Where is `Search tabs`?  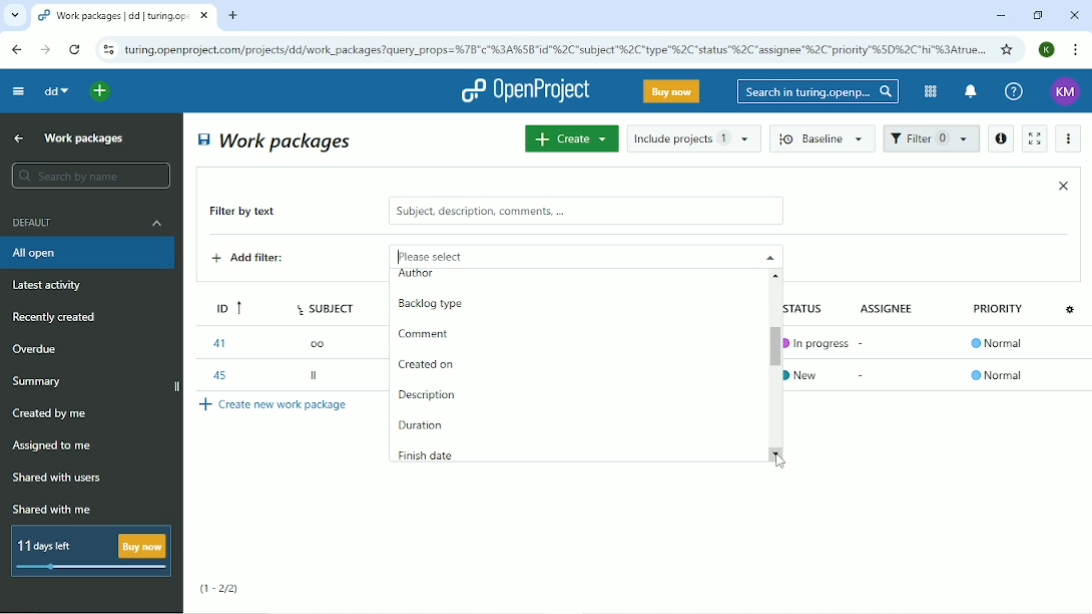
Search tabs is located at coordinates (15, 16).